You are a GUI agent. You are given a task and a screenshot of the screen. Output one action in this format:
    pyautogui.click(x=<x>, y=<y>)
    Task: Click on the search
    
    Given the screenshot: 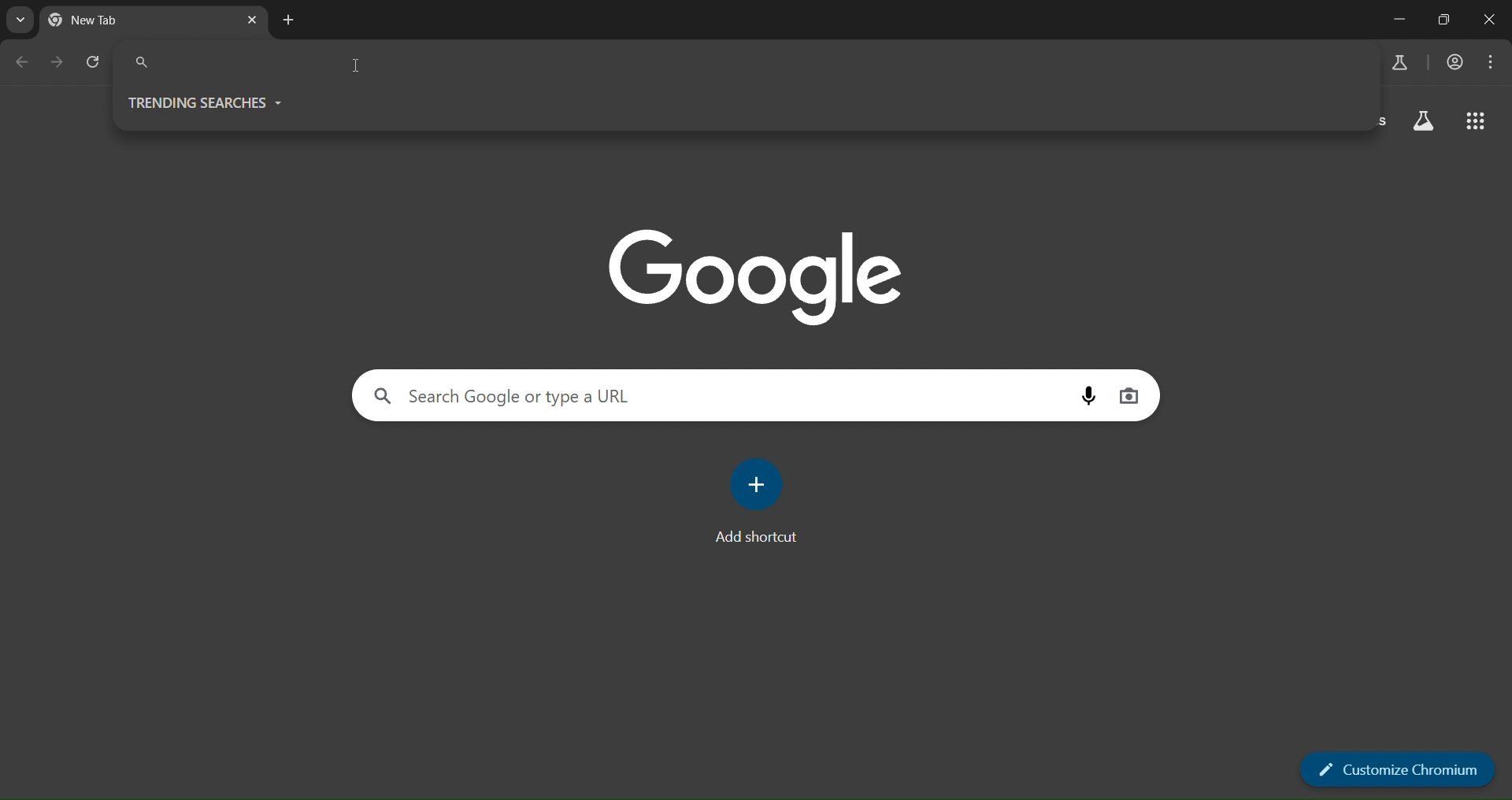 What is the action you would take?
    pyautogui.click(x=567, y=396)
    